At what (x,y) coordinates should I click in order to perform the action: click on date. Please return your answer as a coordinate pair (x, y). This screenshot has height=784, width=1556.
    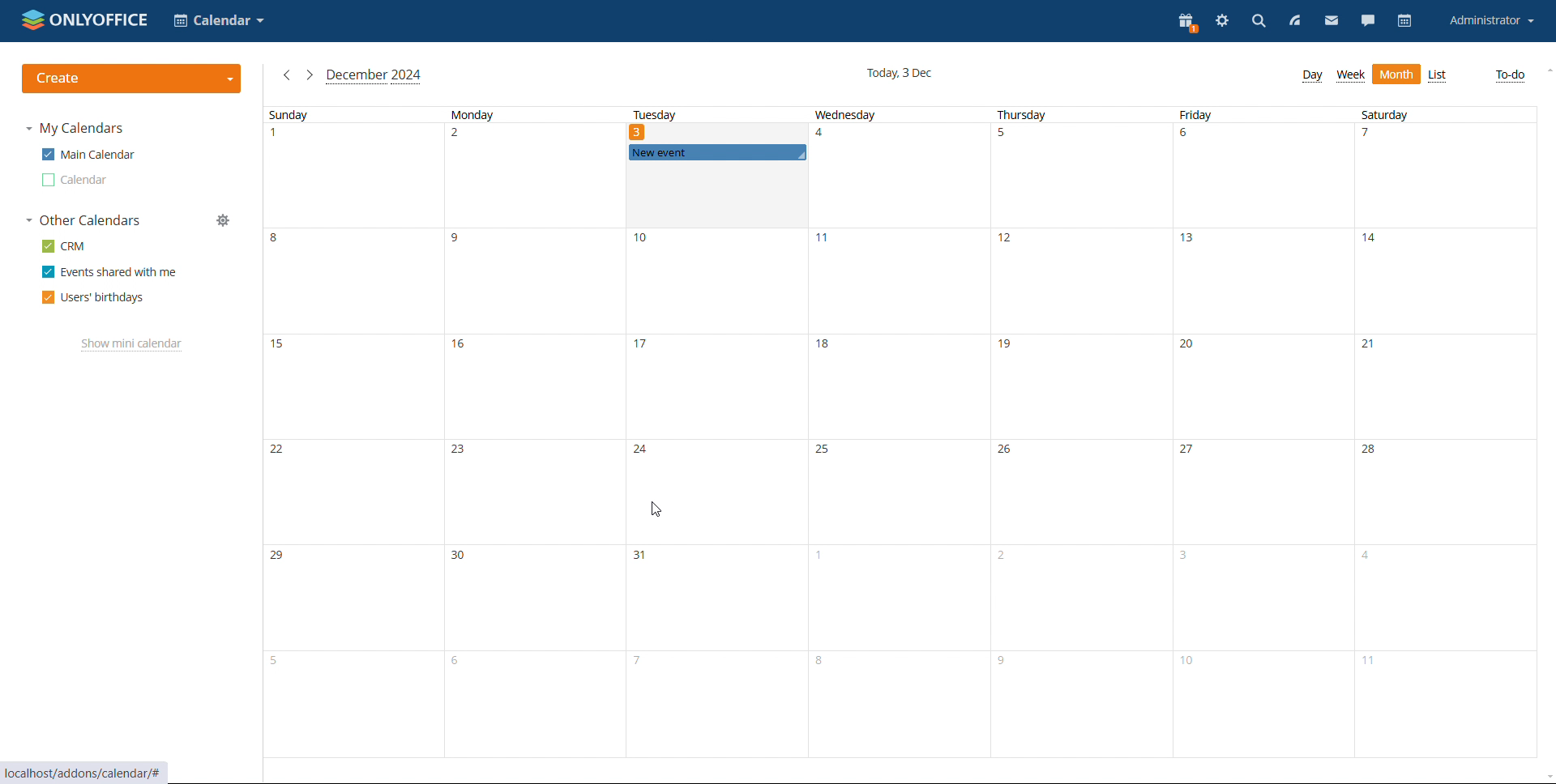
    Looking at the image, I should click on (716, 386).